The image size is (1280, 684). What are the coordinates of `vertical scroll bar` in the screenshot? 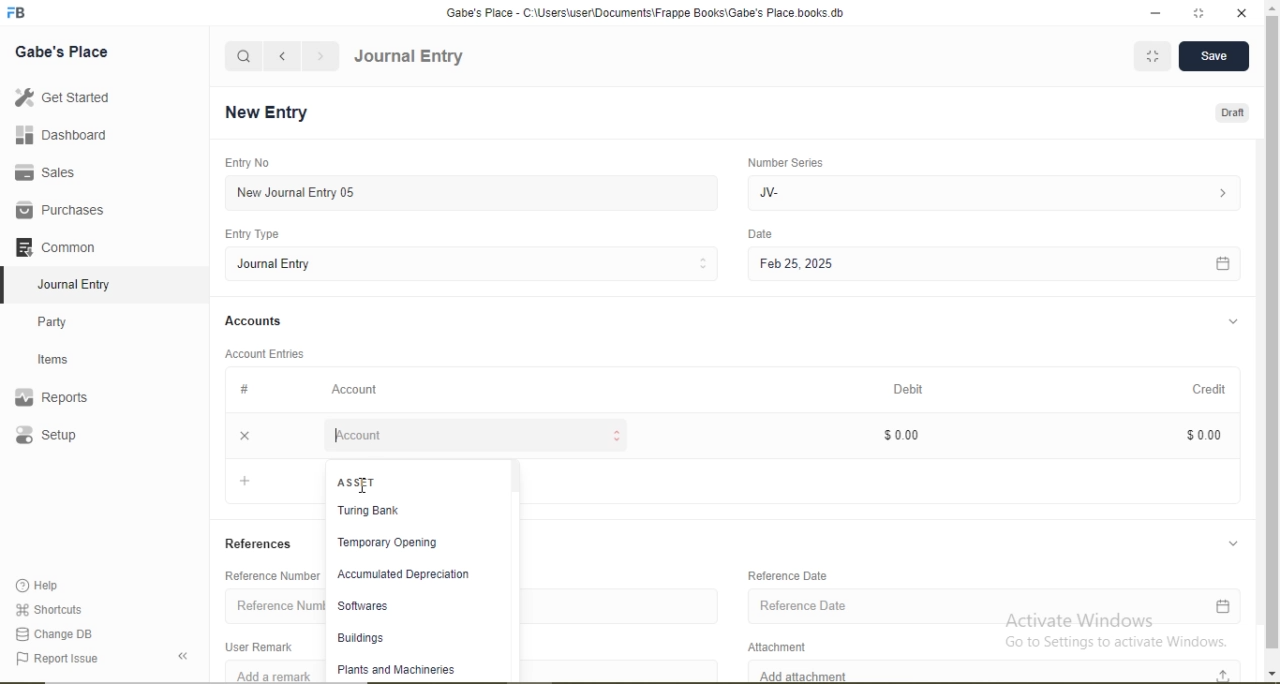 It's located at (519, 569).